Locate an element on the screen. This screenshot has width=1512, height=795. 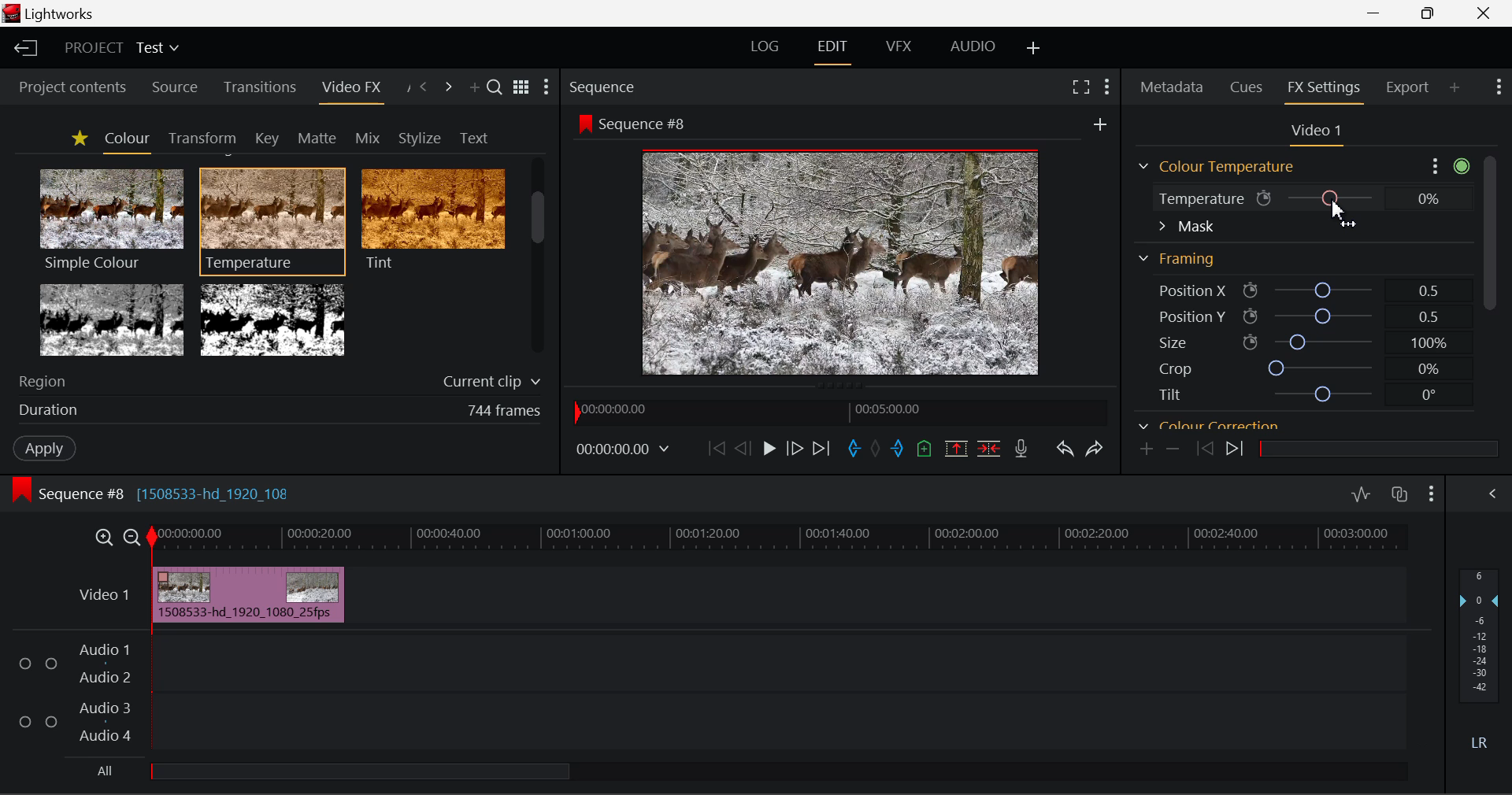
0.5 is located at coordinates (1430, 319).